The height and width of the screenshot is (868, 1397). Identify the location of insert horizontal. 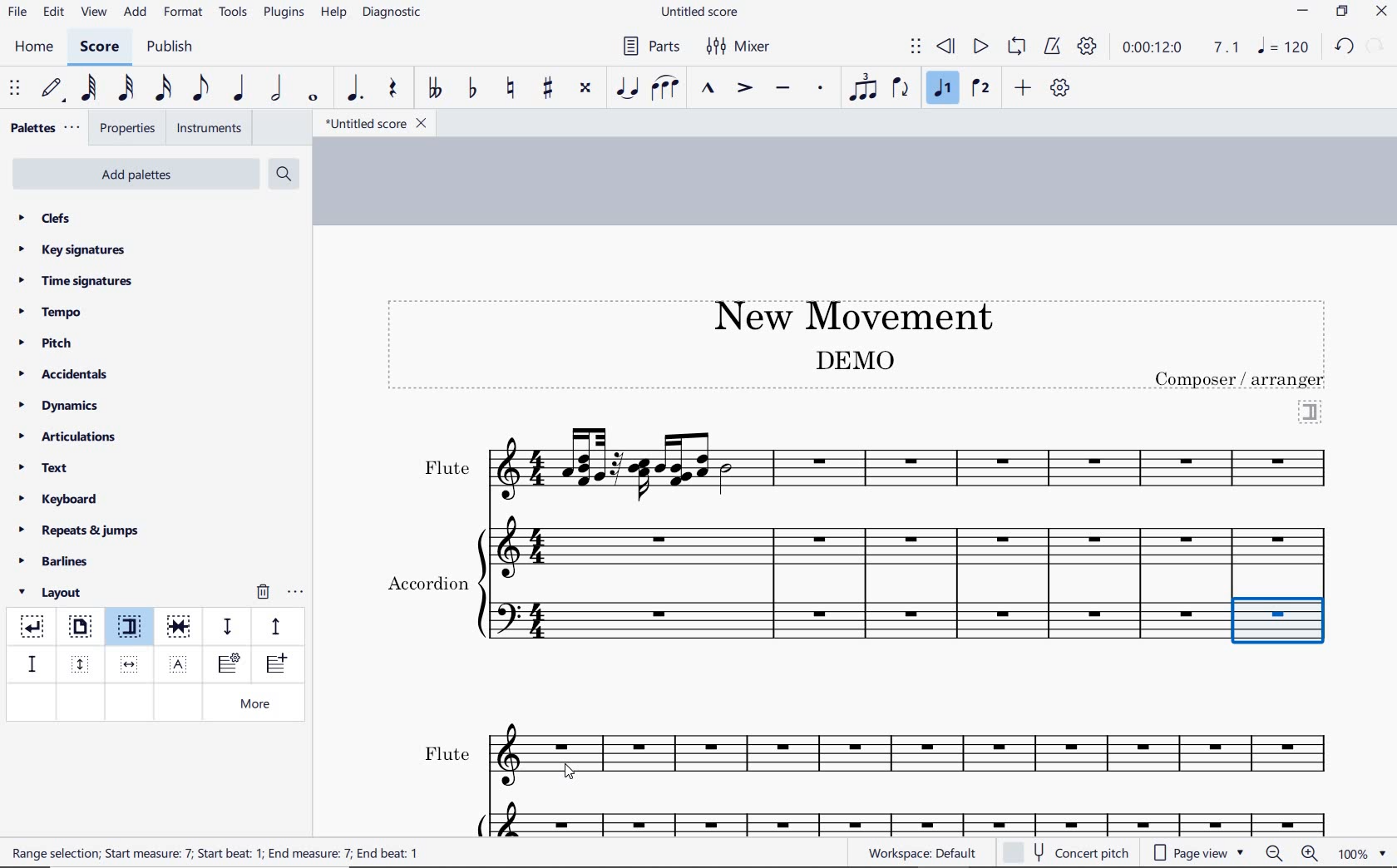
(130, 664).